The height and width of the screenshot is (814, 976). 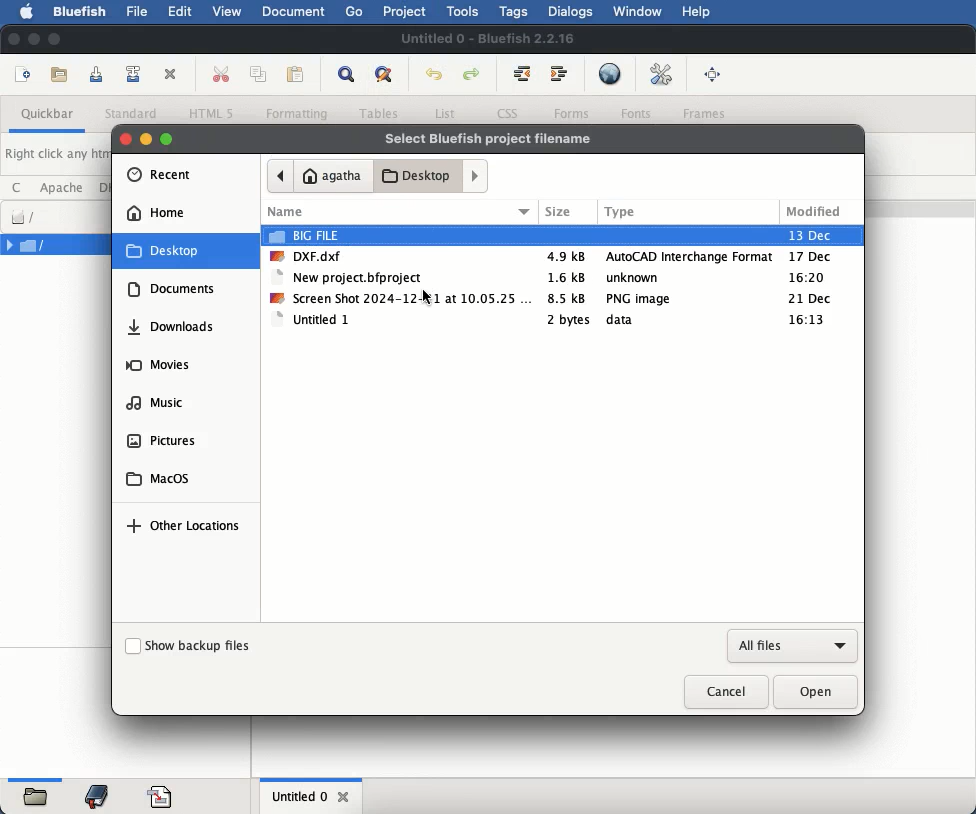 What do you see at coordinates (64, 186) in the screenshot?
I see `apache` at bounding box center [64, 186].